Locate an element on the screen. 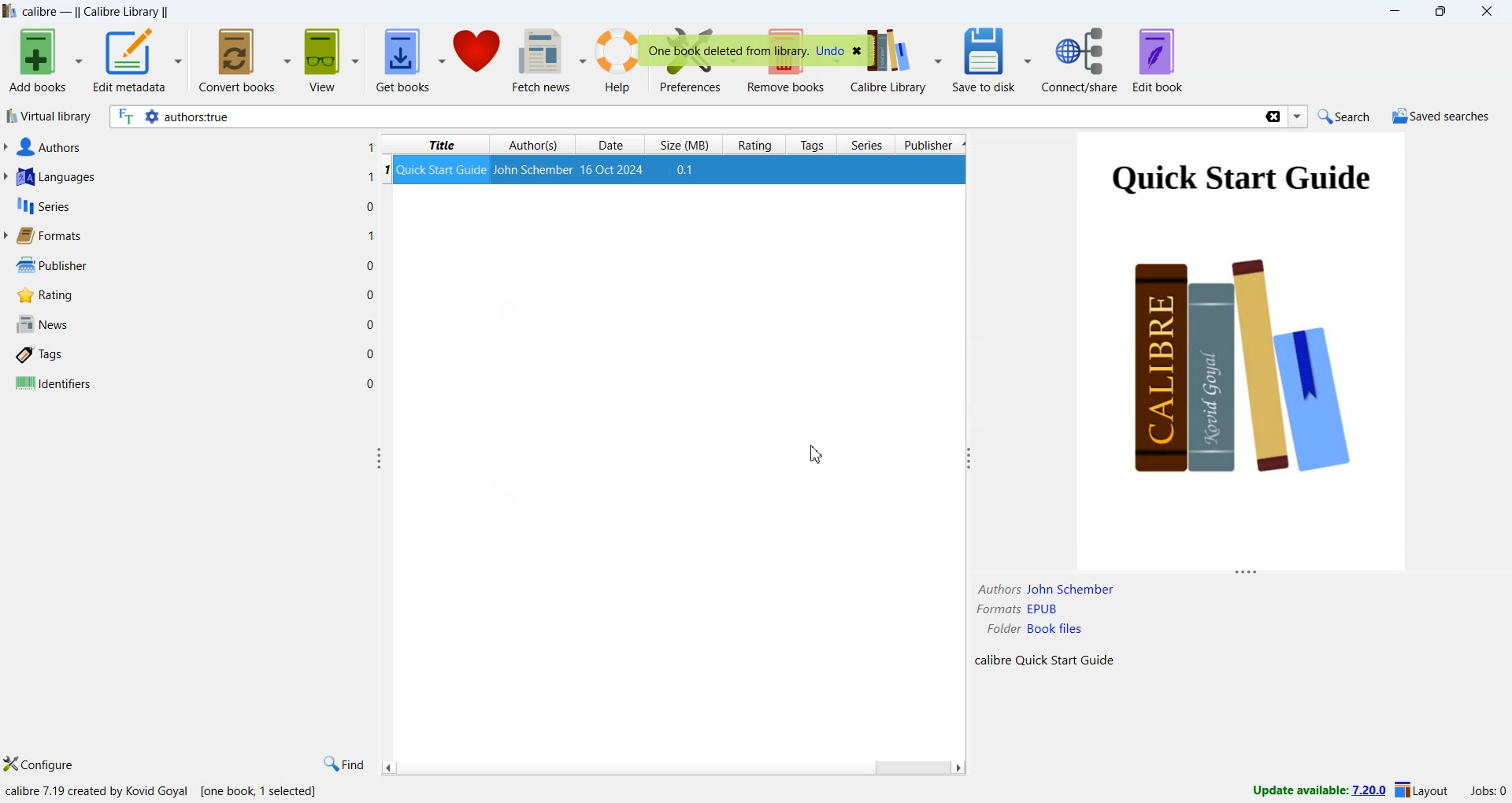 The height and width of the screenshot is (803, 1512). view is located at coordinates (333, 61).